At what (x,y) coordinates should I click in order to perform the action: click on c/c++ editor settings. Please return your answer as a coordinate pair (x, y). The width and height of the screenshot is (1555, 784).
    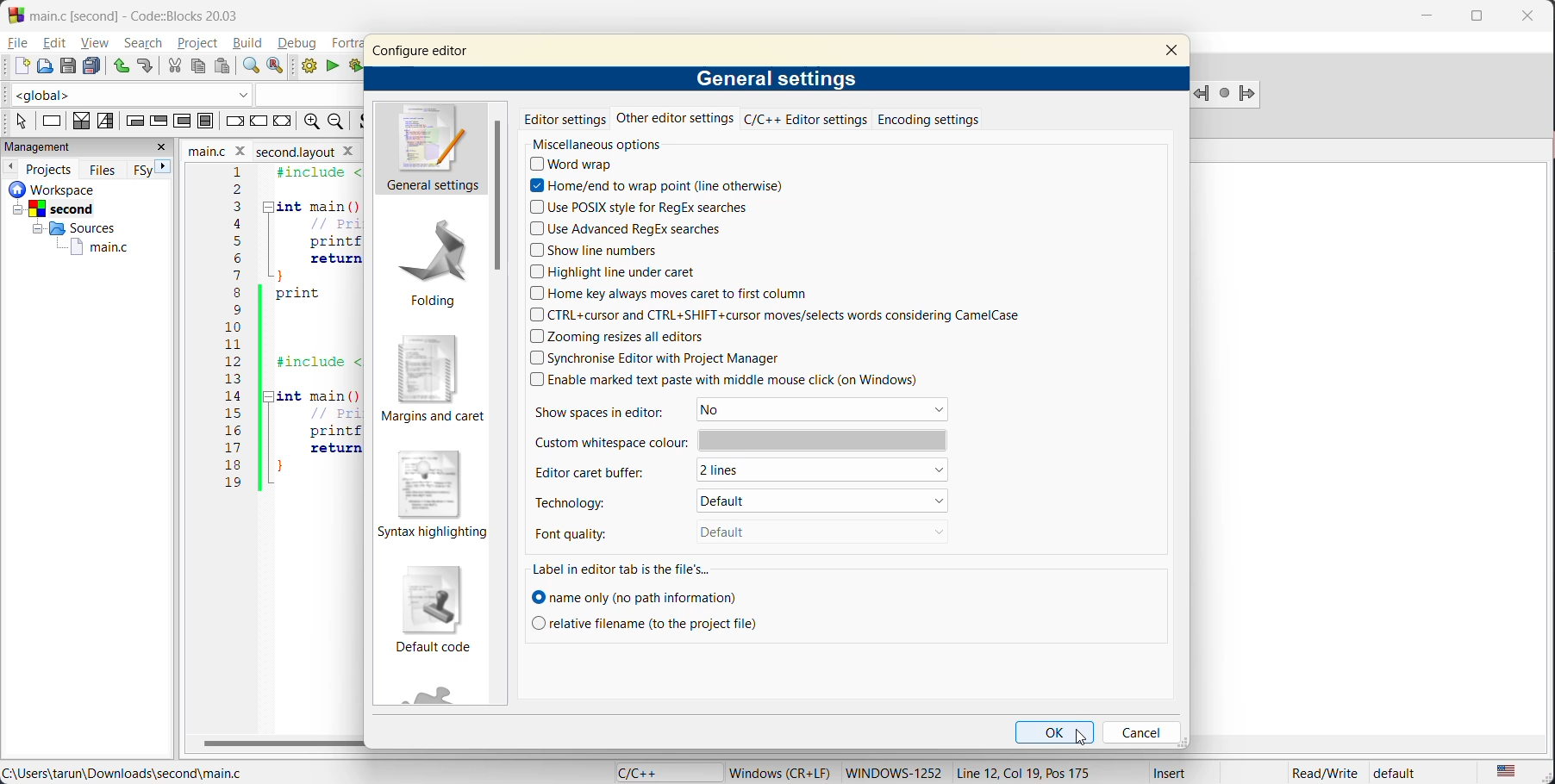
    Looking at the image, I should click on (802, 120).